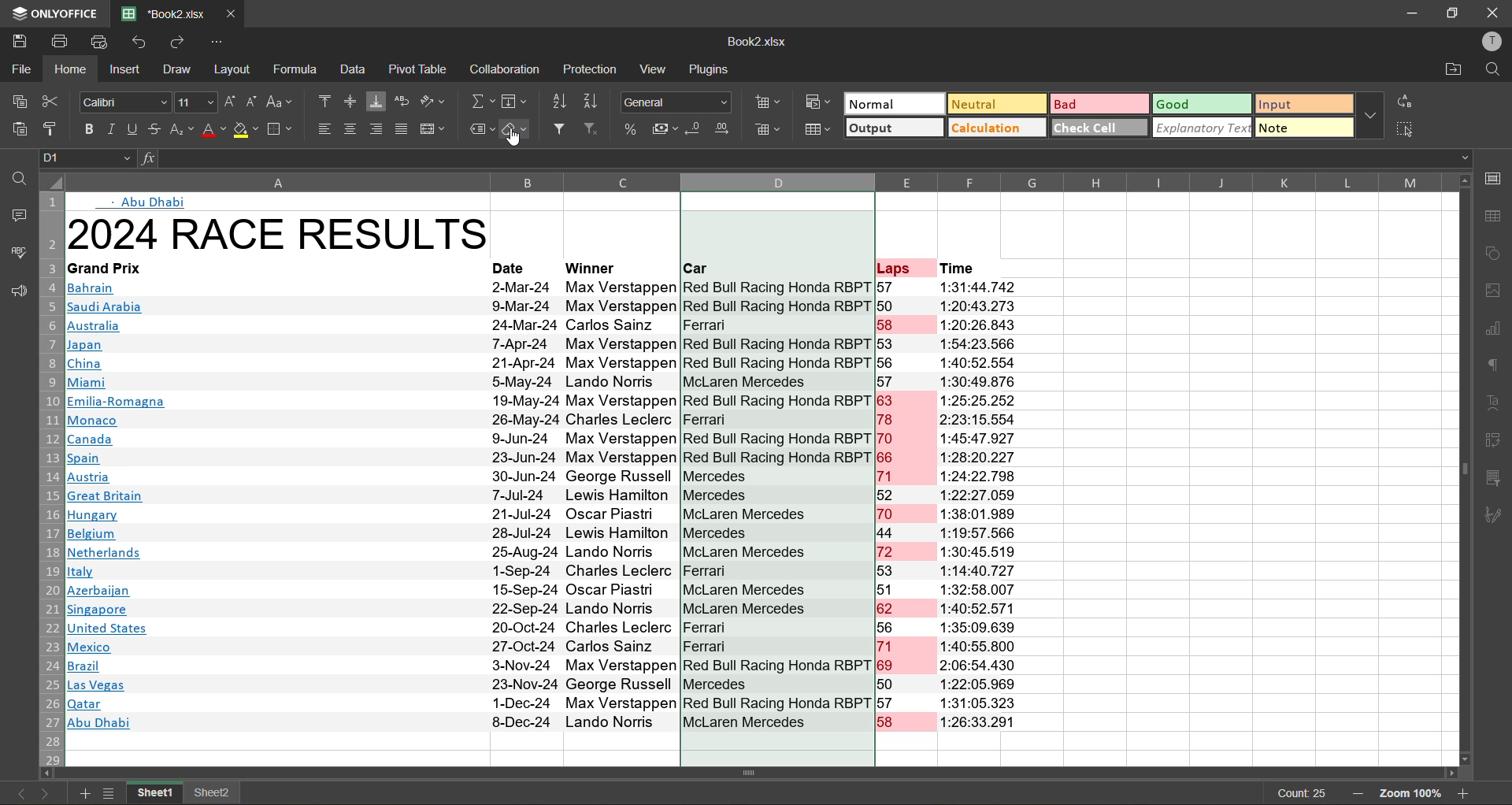  I want to click on close, so click(1492, 14).